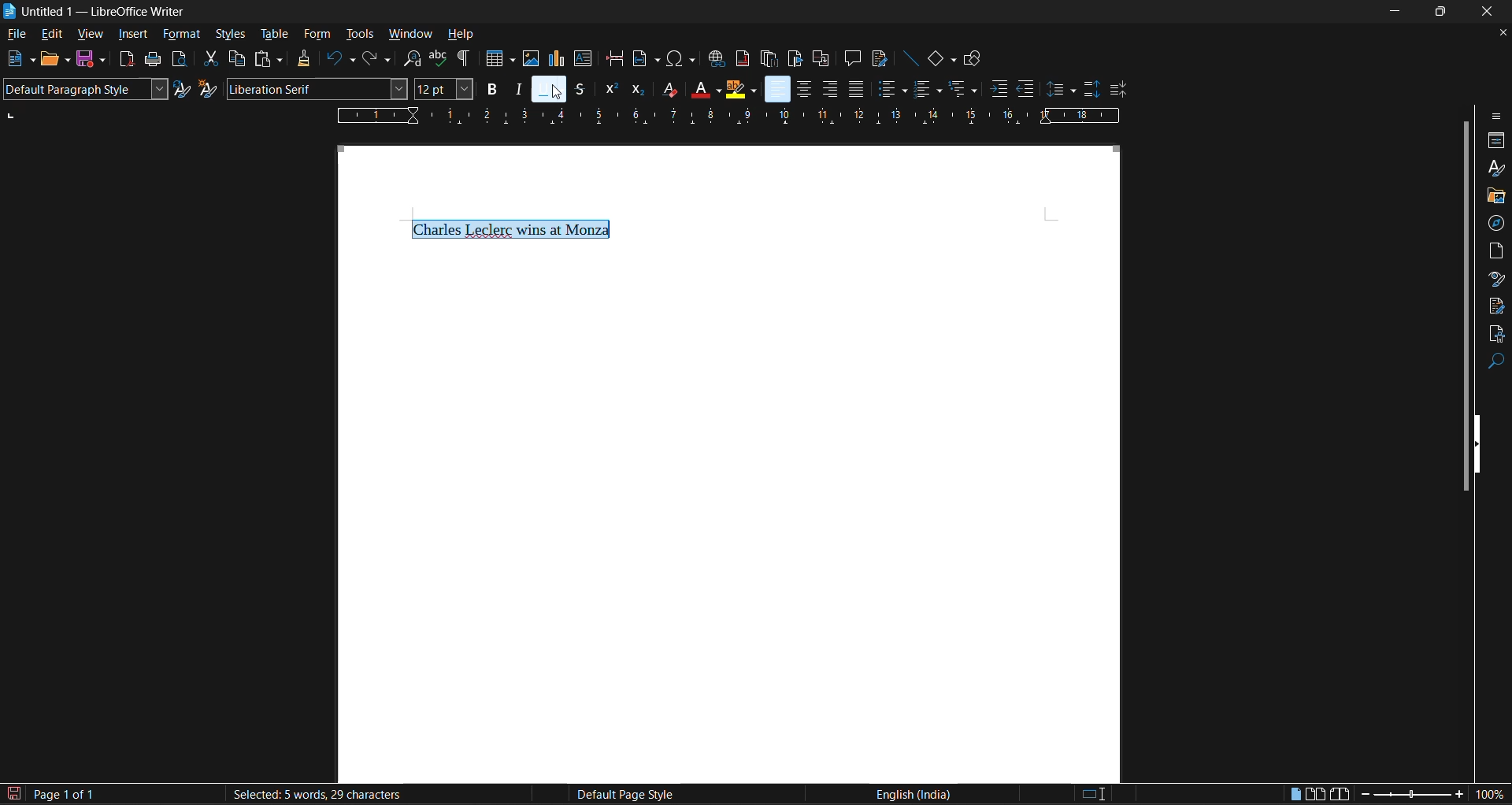 The width and height of the screenshot is (1512, 805). I want to click on increase indent, so click(1000, 88).